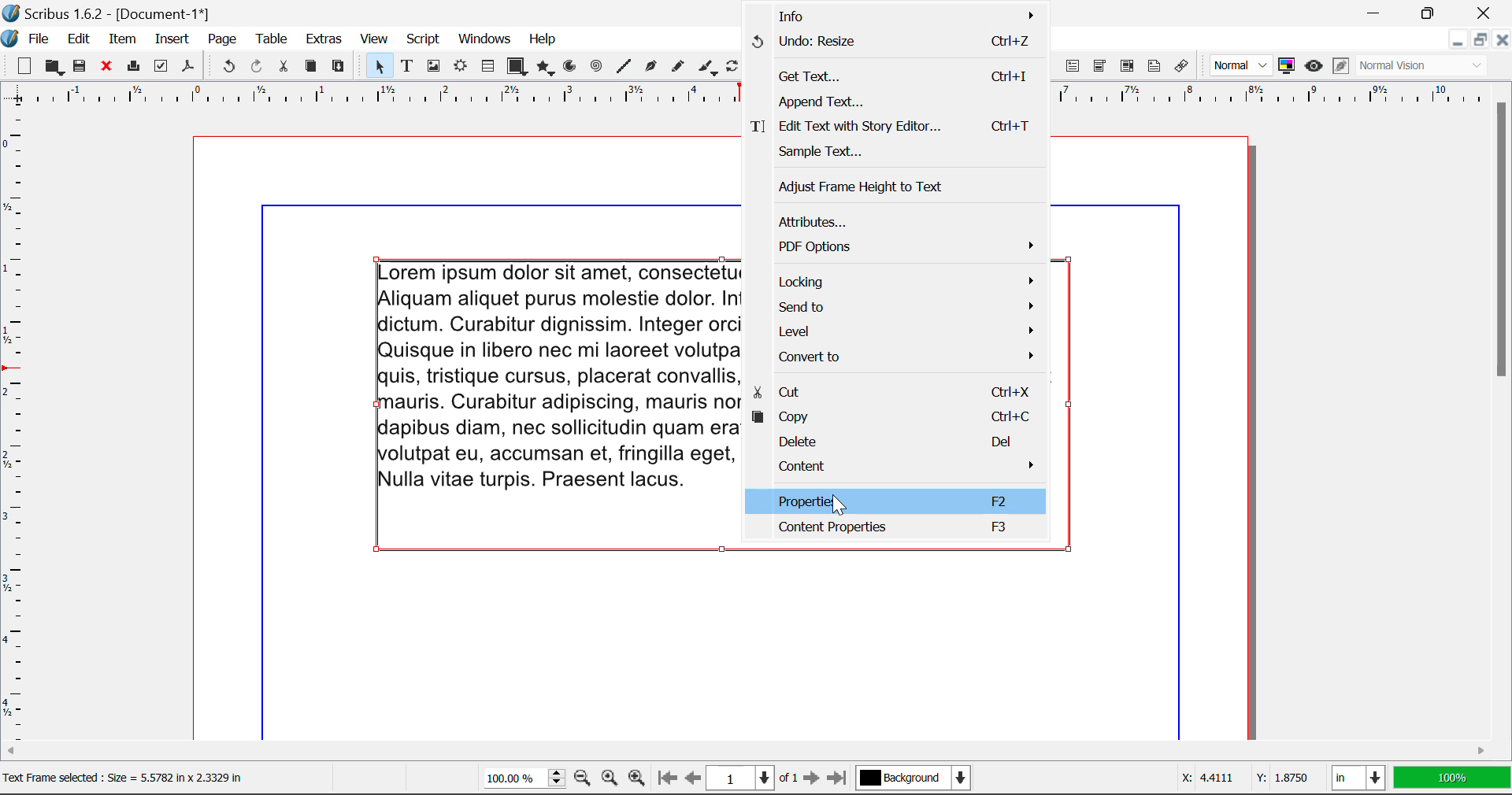 This screenshot has width=1512, height=795. Describe the element at coordinates (460, 68) in the screenshot. I see `Render Frame` at that location.